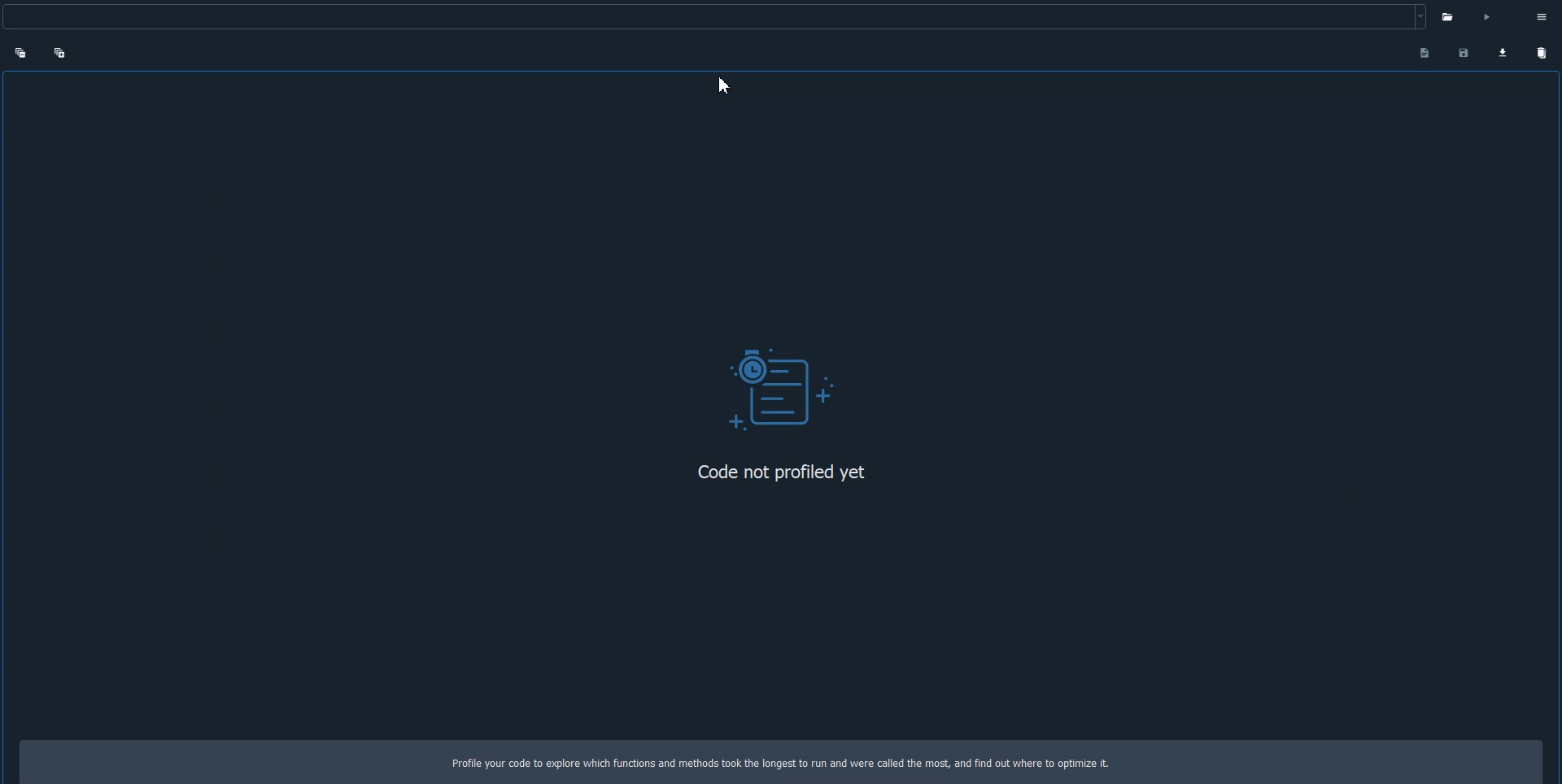 The image size is (1562, 784). Describe the element at coordinates (774, 473) in the screenshot. I see `Code not profiled yet` at that location.